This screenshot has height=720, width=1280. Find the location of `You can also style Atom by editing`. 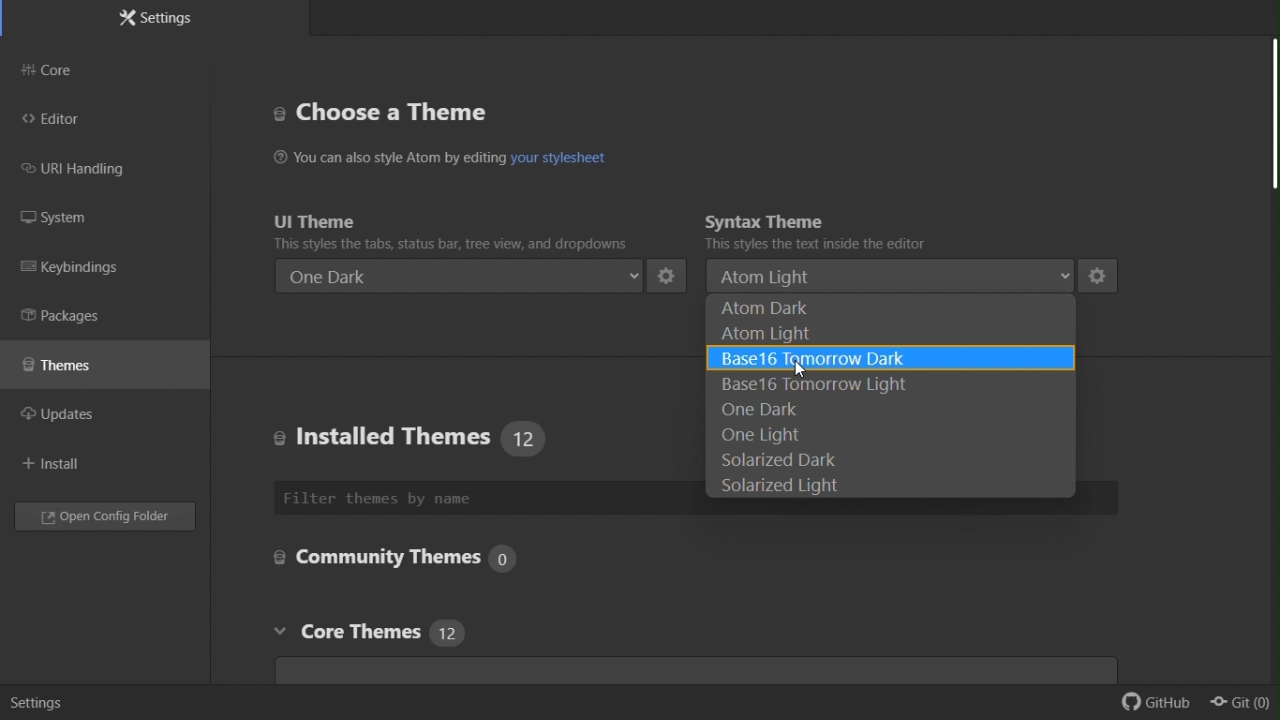

You can also style Atom by editing is located at coordinates (390, 157).